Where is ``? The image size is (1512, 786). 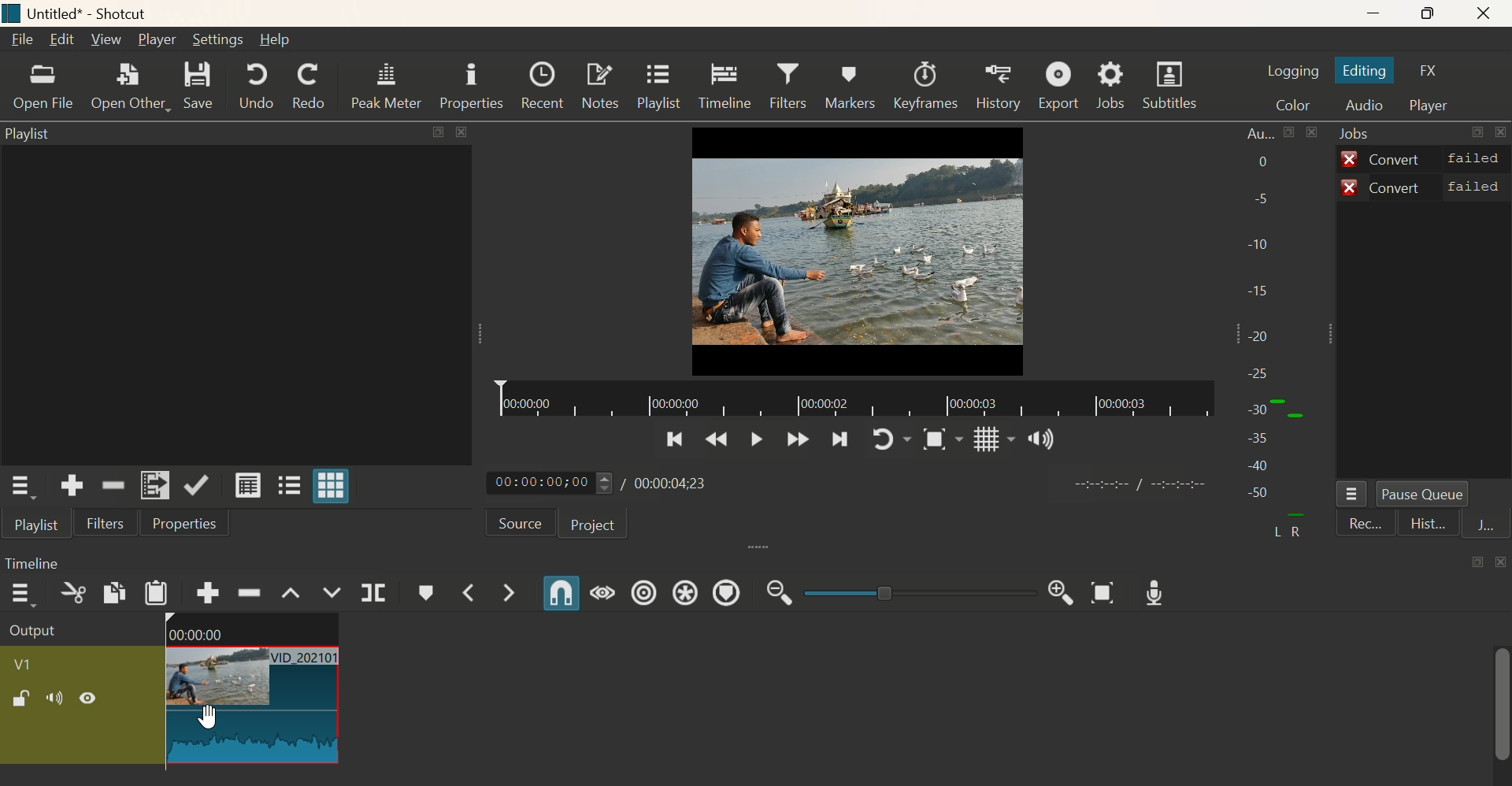  is located at coordinates (278, 39).